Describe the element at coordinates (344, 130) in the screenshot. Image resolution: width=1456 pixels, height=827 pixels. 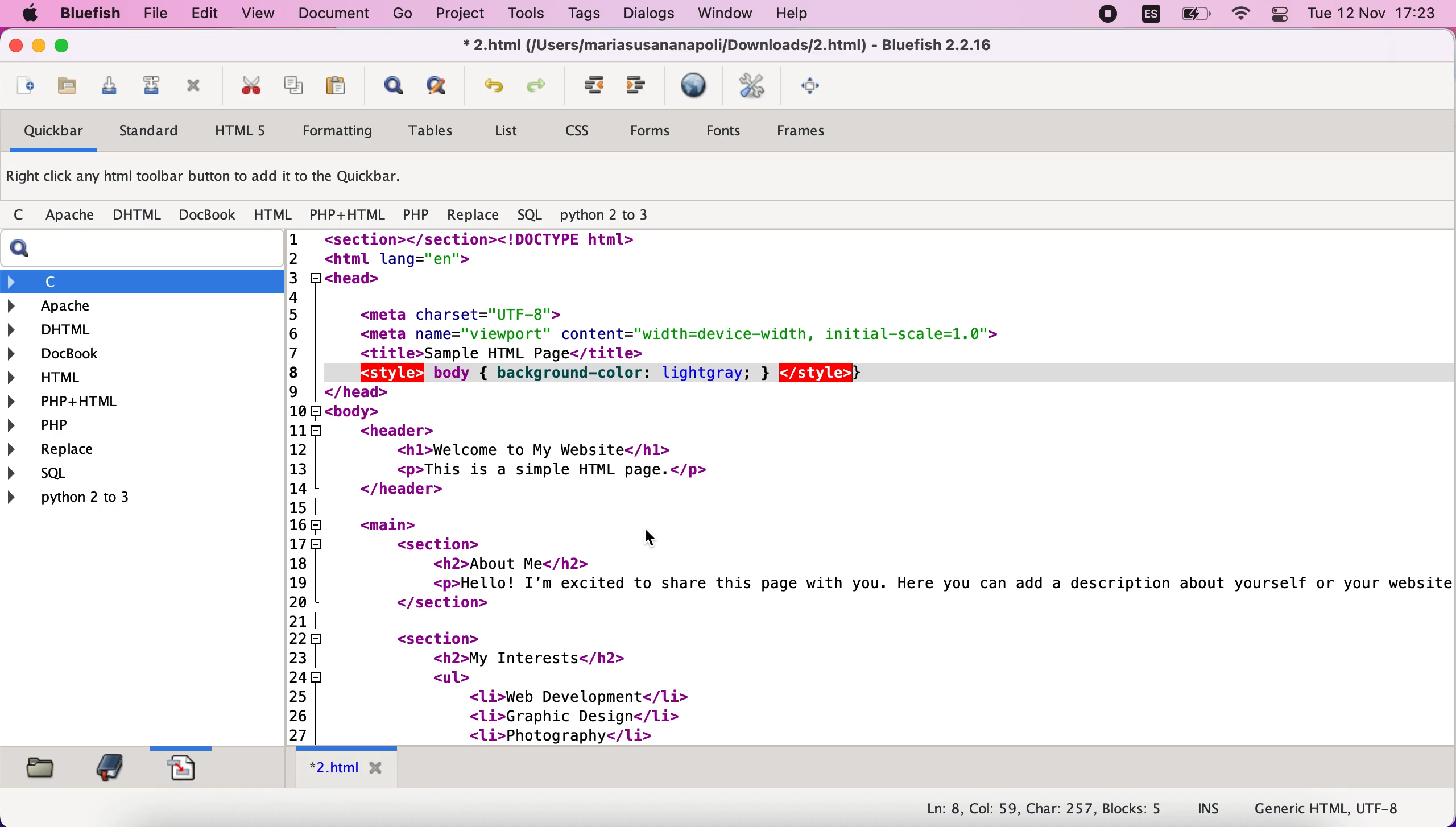
I see `formatting` at that location.